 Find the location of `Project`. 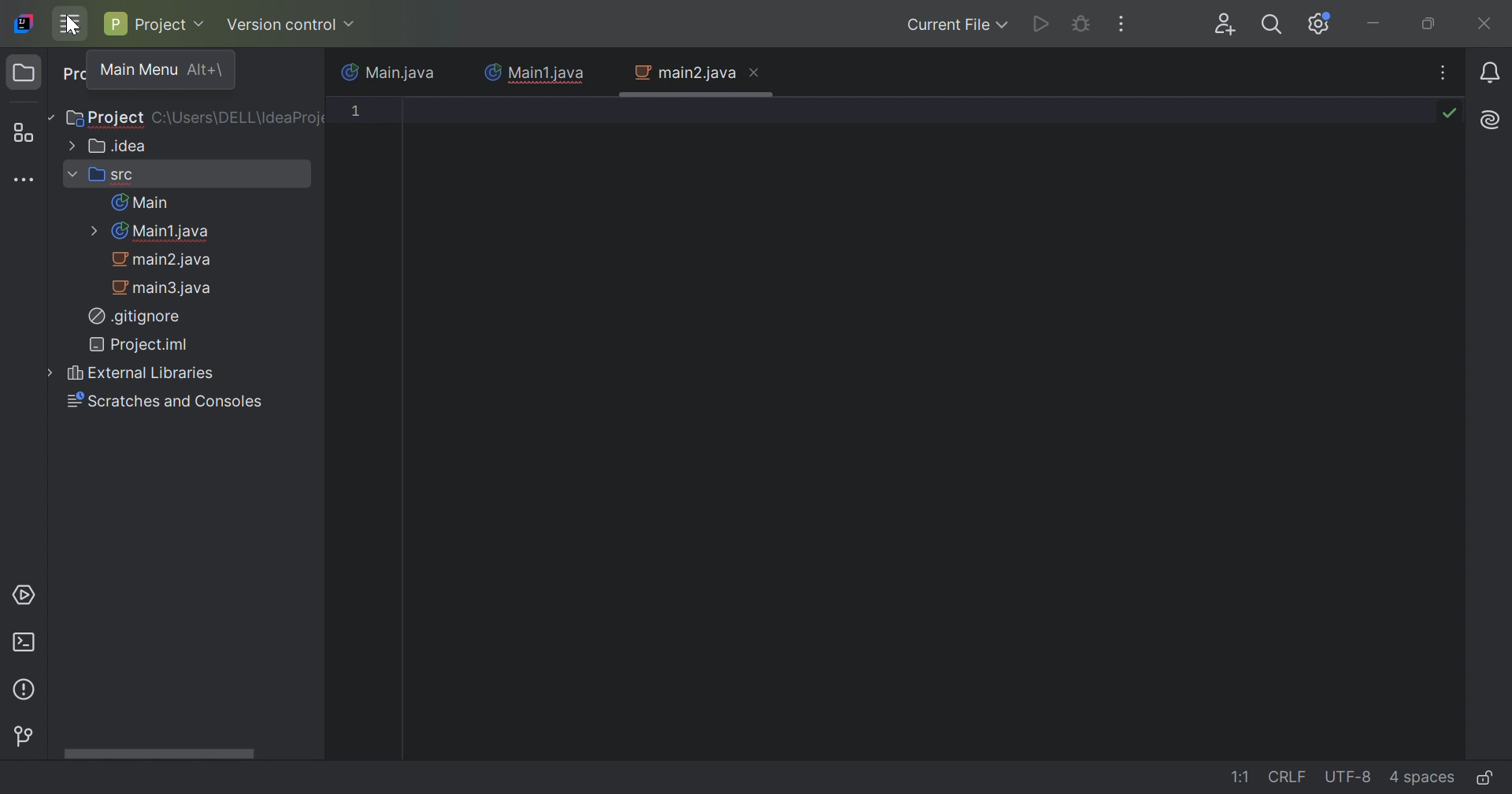

Project is located at coordinates (75, 76).